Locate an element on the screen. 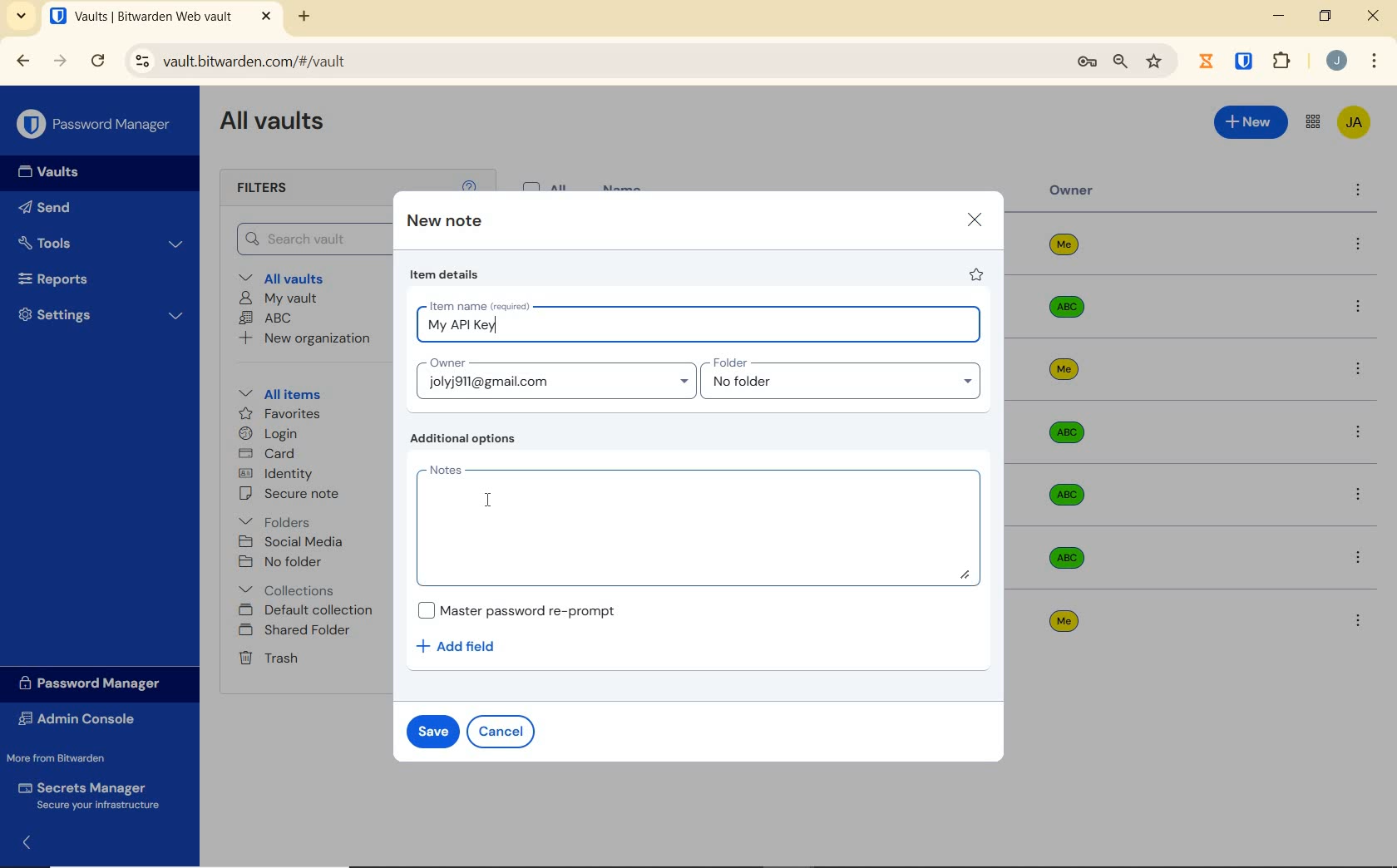  login is located at coordinates (272, 435).